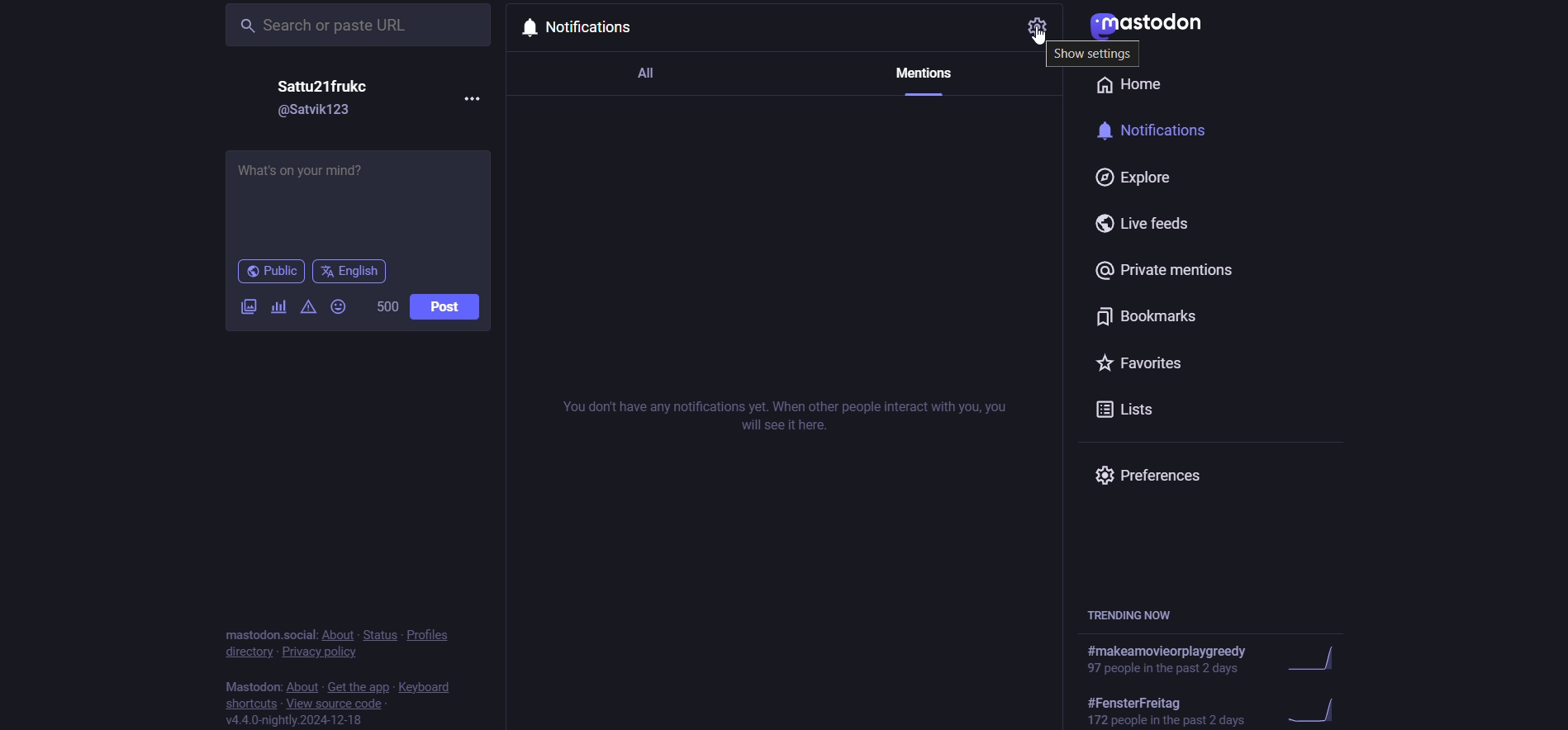 The height and width of the screenshot is (730, 1568). What do you see at coordinates (249, 306) in the screenshot?
I see `Attach images` at bounding box center [249, 306].